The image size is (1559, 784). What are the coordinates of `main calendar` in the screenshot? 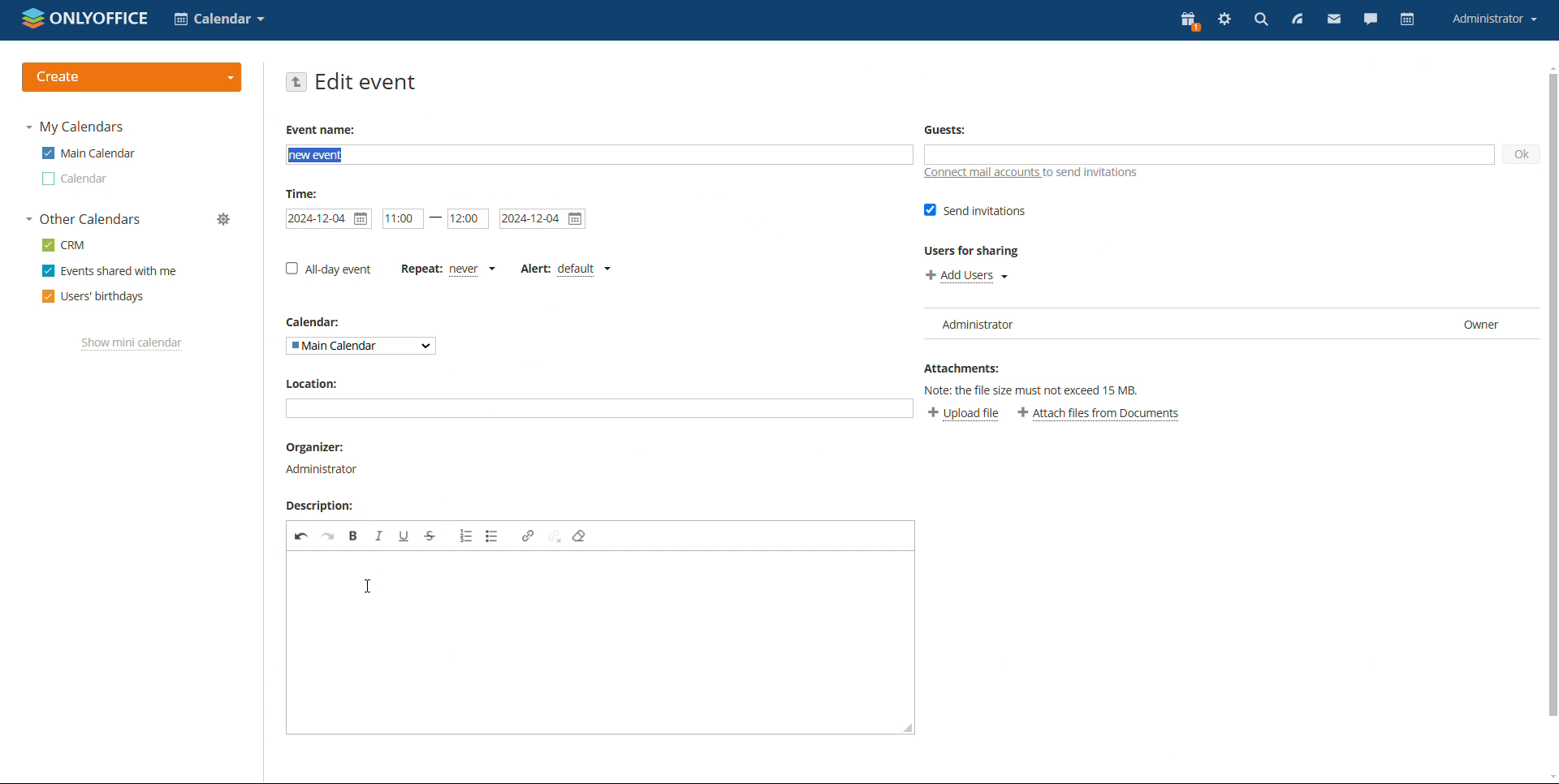 It's located at (87, 153).